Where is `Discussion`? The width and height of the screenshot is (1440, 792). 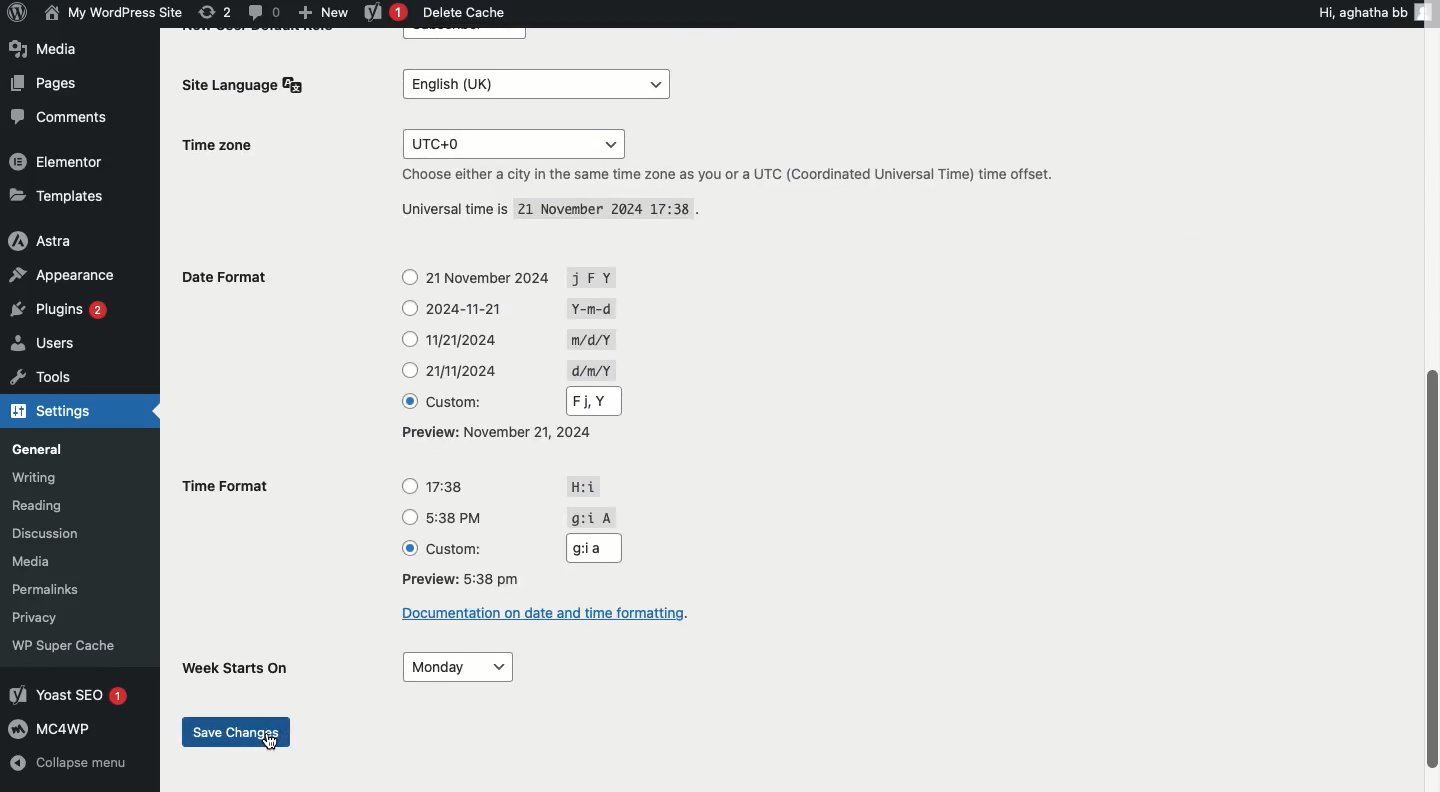 Discussion is located at coordinates (63, 532).